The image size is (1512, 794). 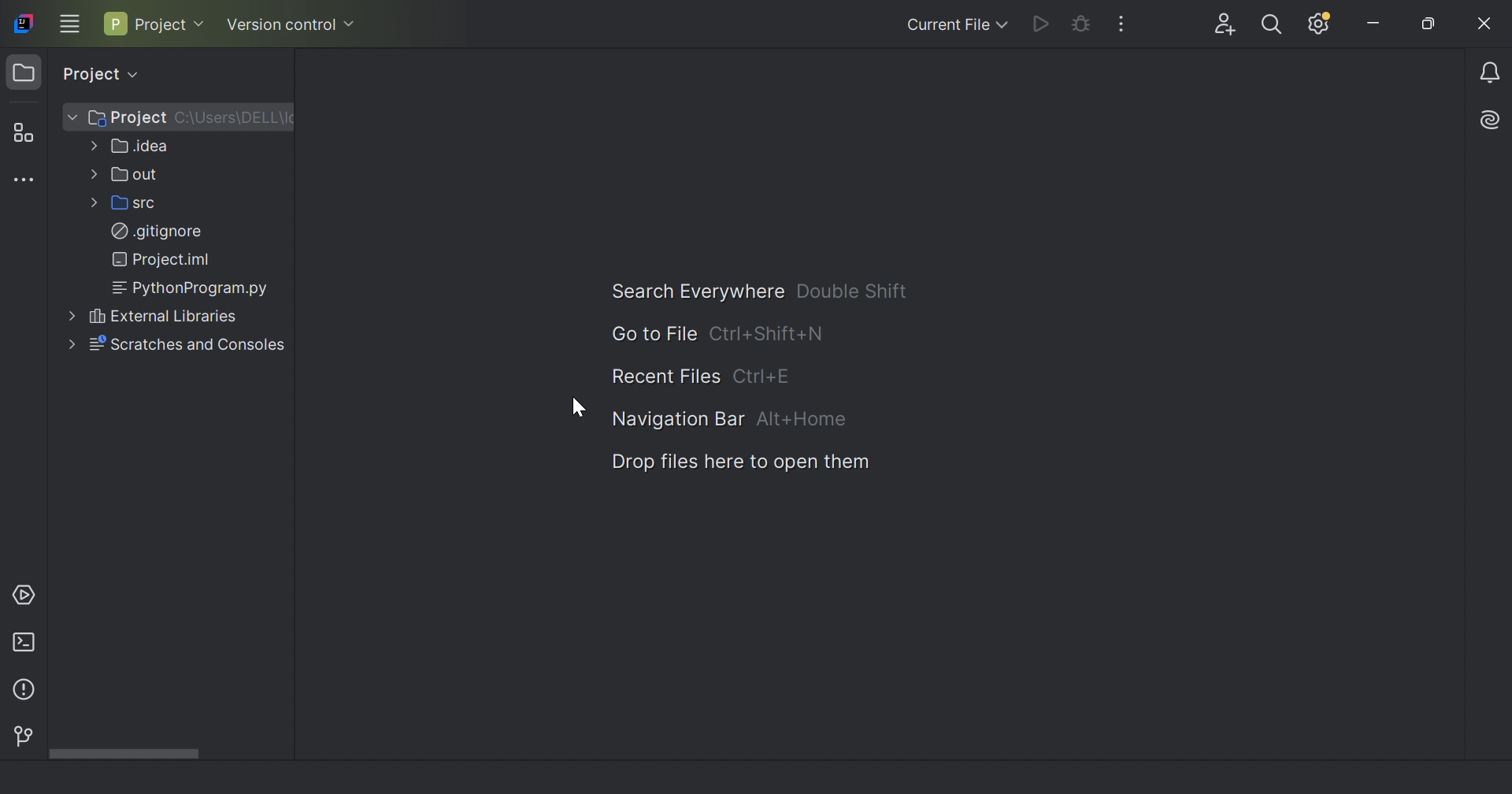 I want to click on Navigation bar, so click(x=676, y=421).